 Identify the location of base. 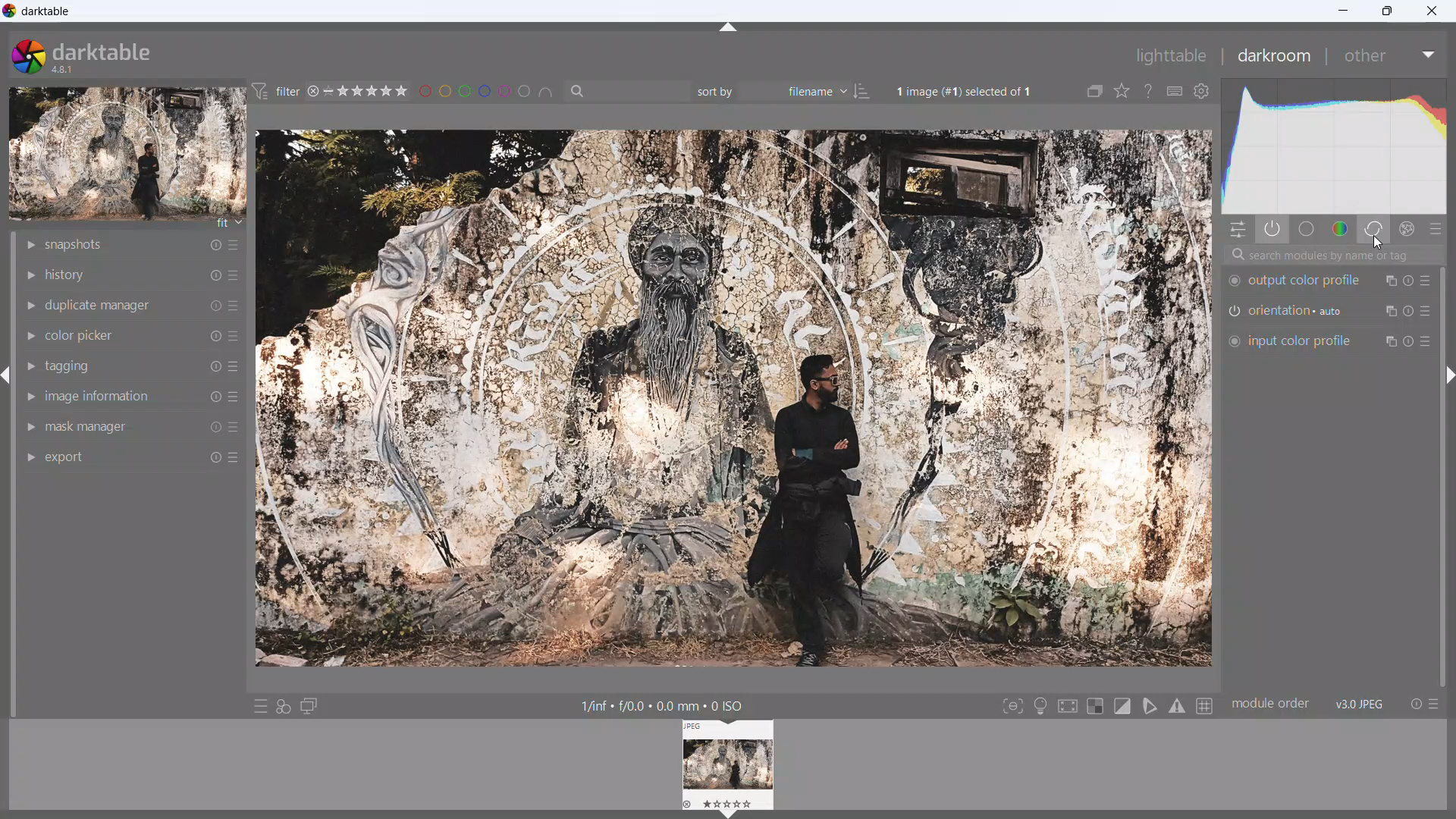
(1307, 229).